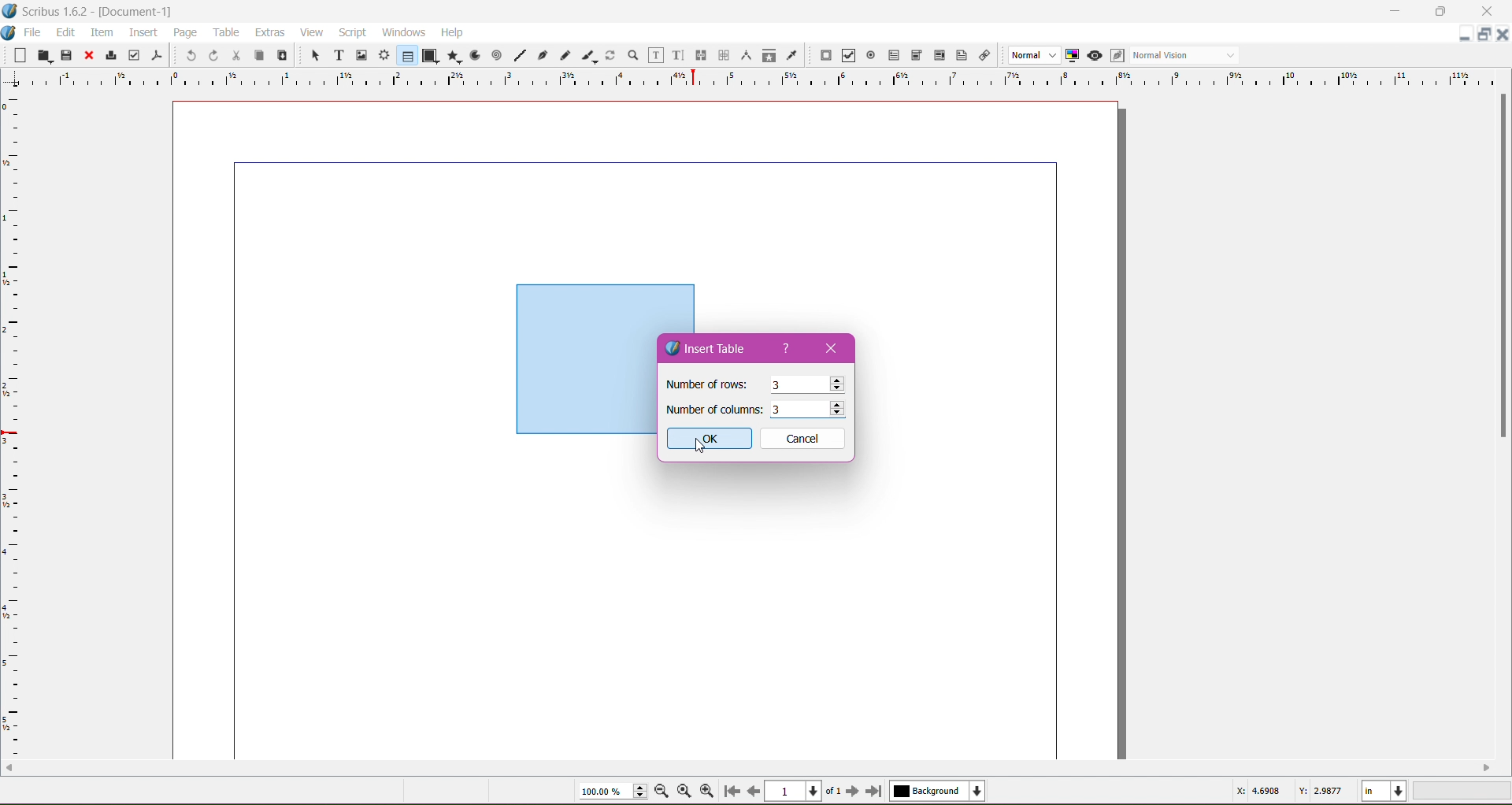 The height and width of the screenshot is (805, 1512). What do you see at coordinates (211, 55) in the screenshot?
I see `Redo` at bounding box center [211, 55].